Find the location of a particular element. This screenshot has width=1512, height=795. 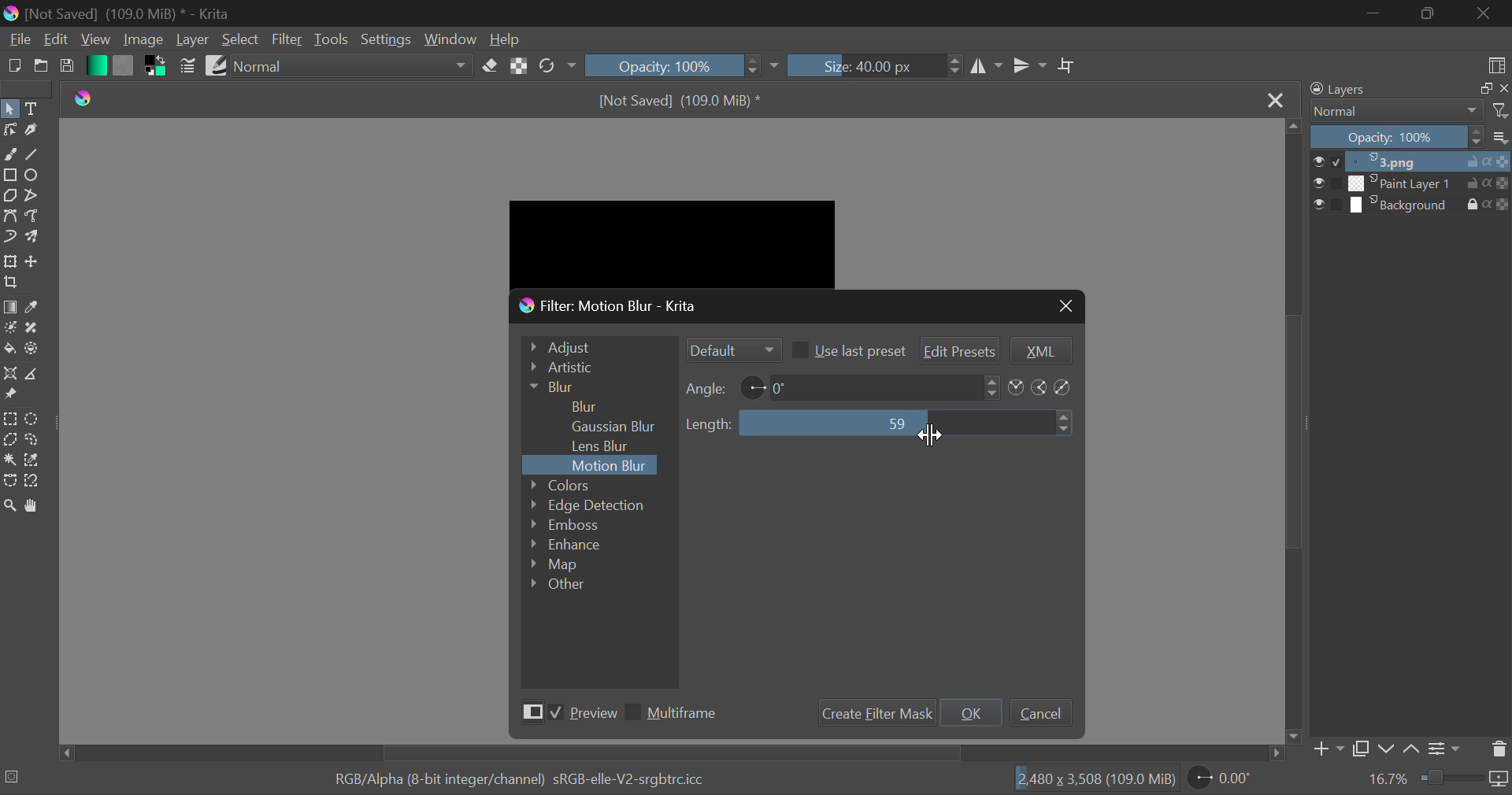

Brush Presets is located at coordinates (216, 65).